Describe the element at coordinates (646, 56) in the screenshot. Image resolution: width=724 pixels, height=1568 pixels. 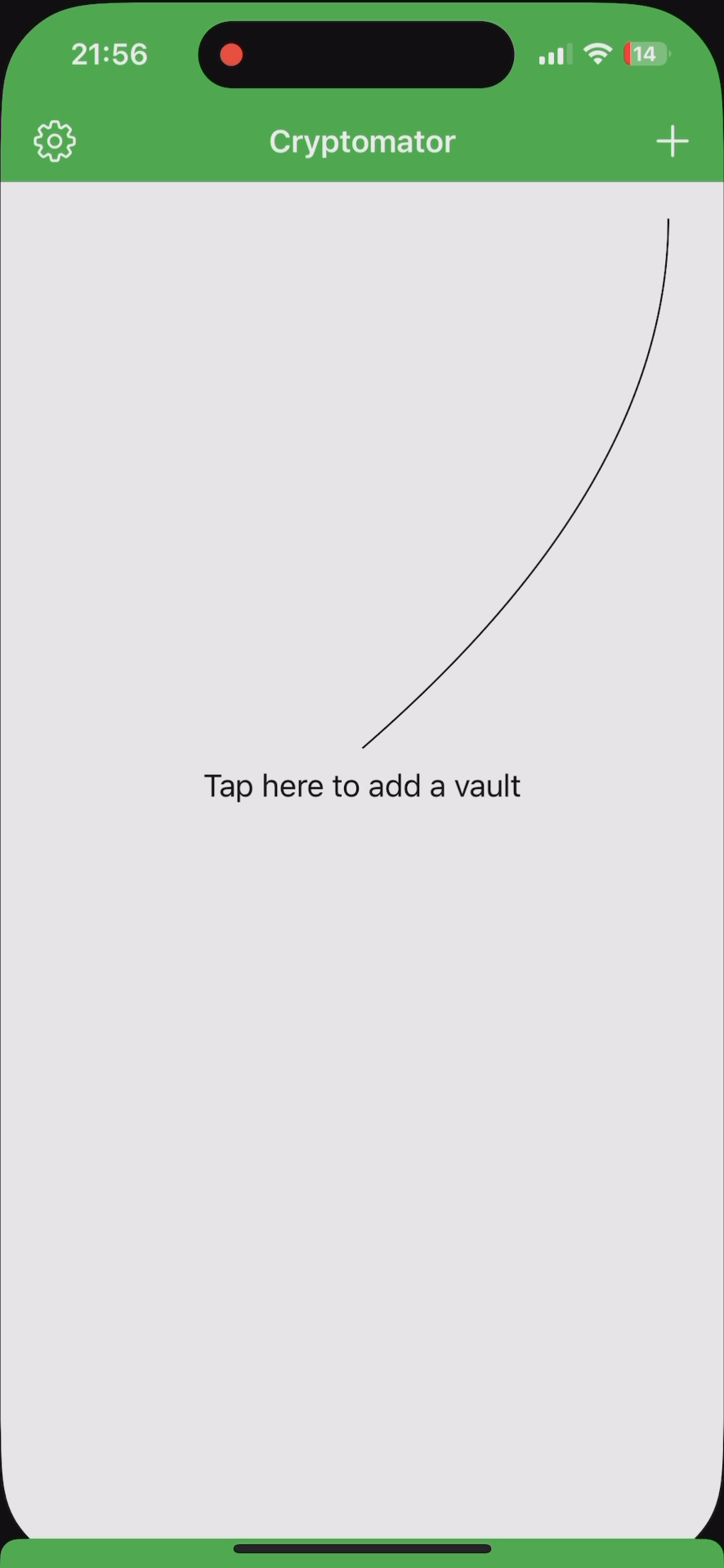
I see `battery` at that location.